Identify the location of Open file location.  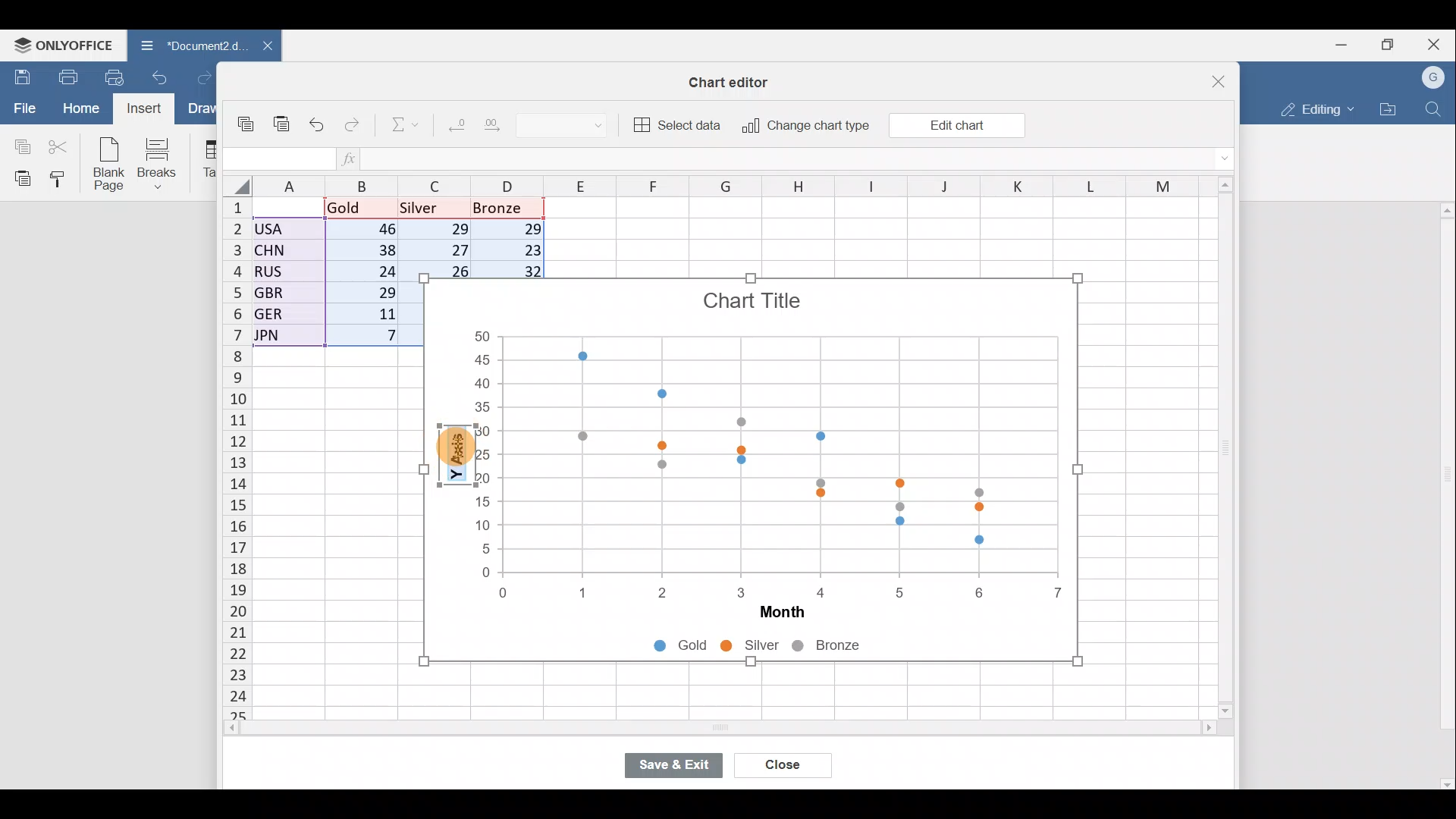
(1389, 108).